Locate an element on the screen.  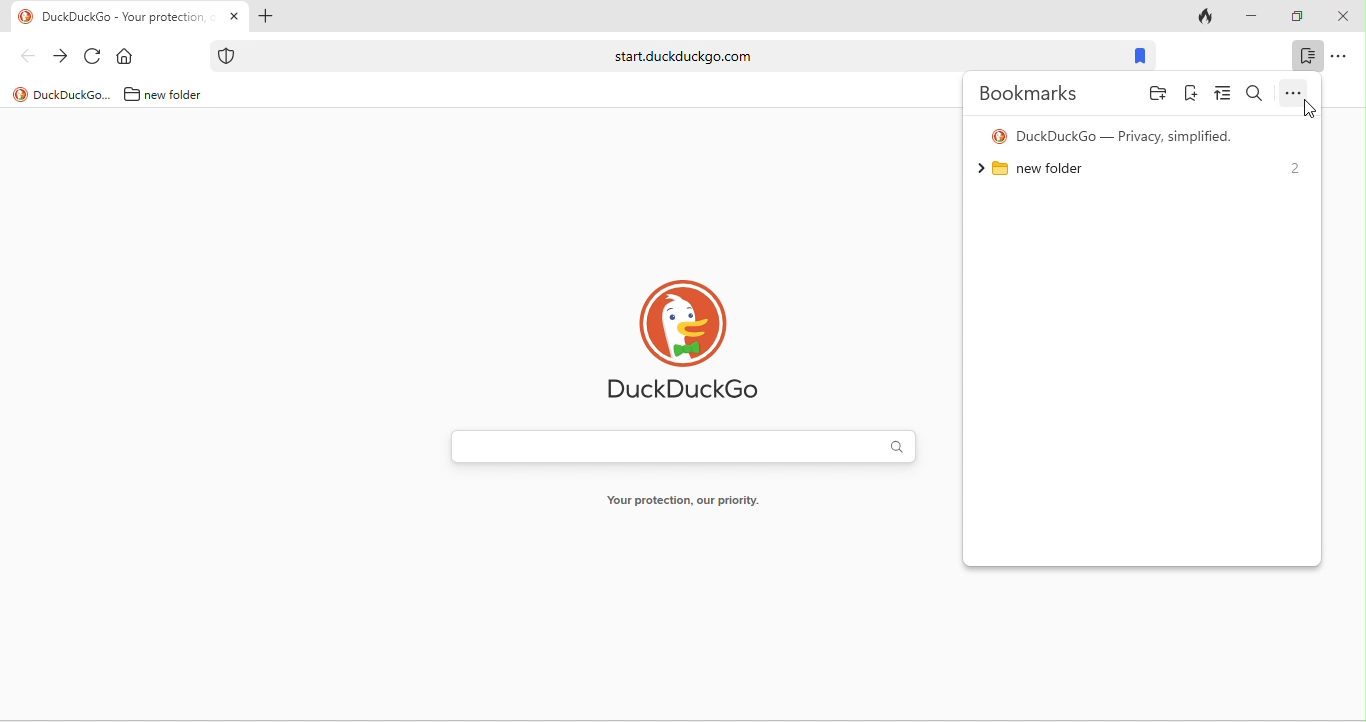
bookmark is located at coordinates (1191, 93).